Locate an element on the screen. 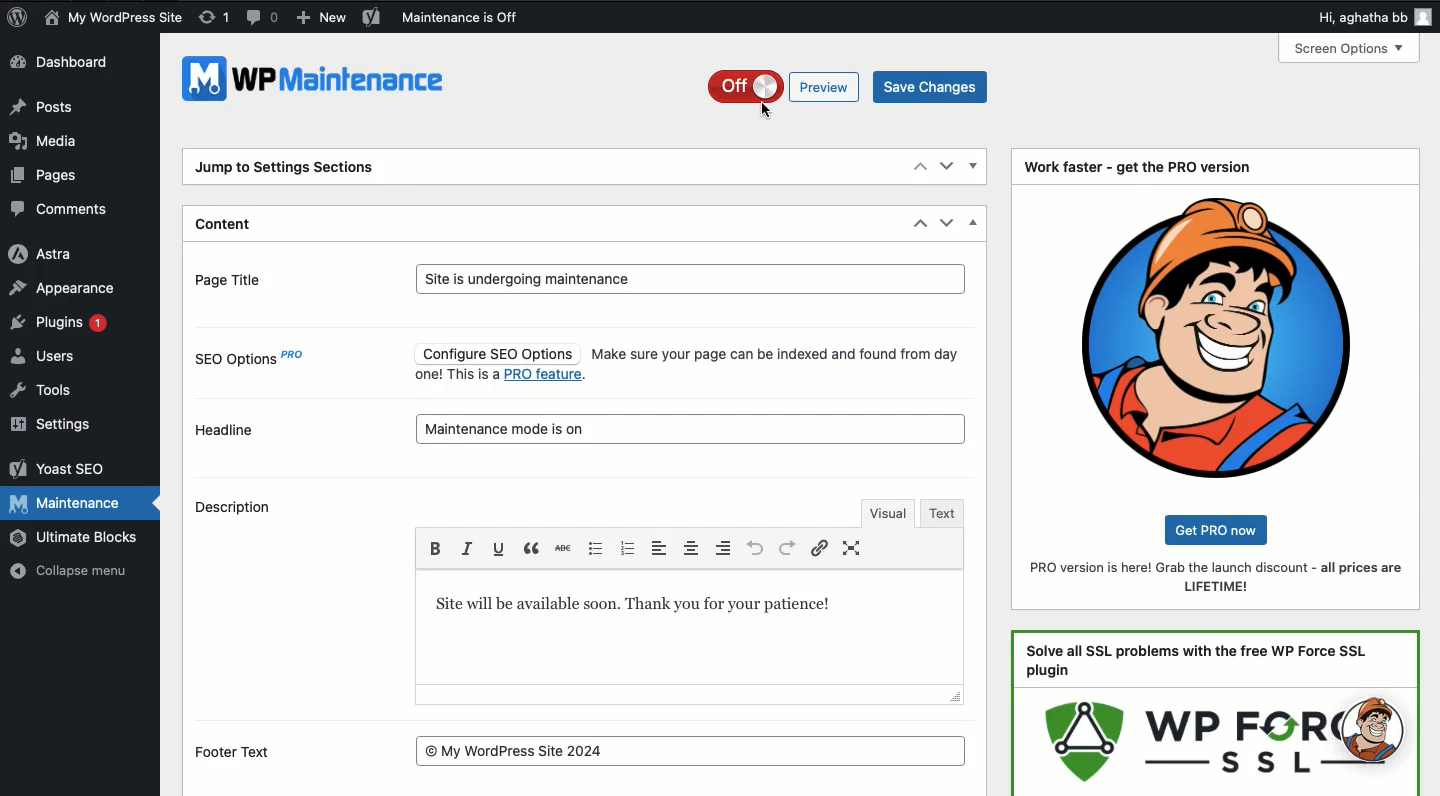  Text is located at coordinates (653, 605).